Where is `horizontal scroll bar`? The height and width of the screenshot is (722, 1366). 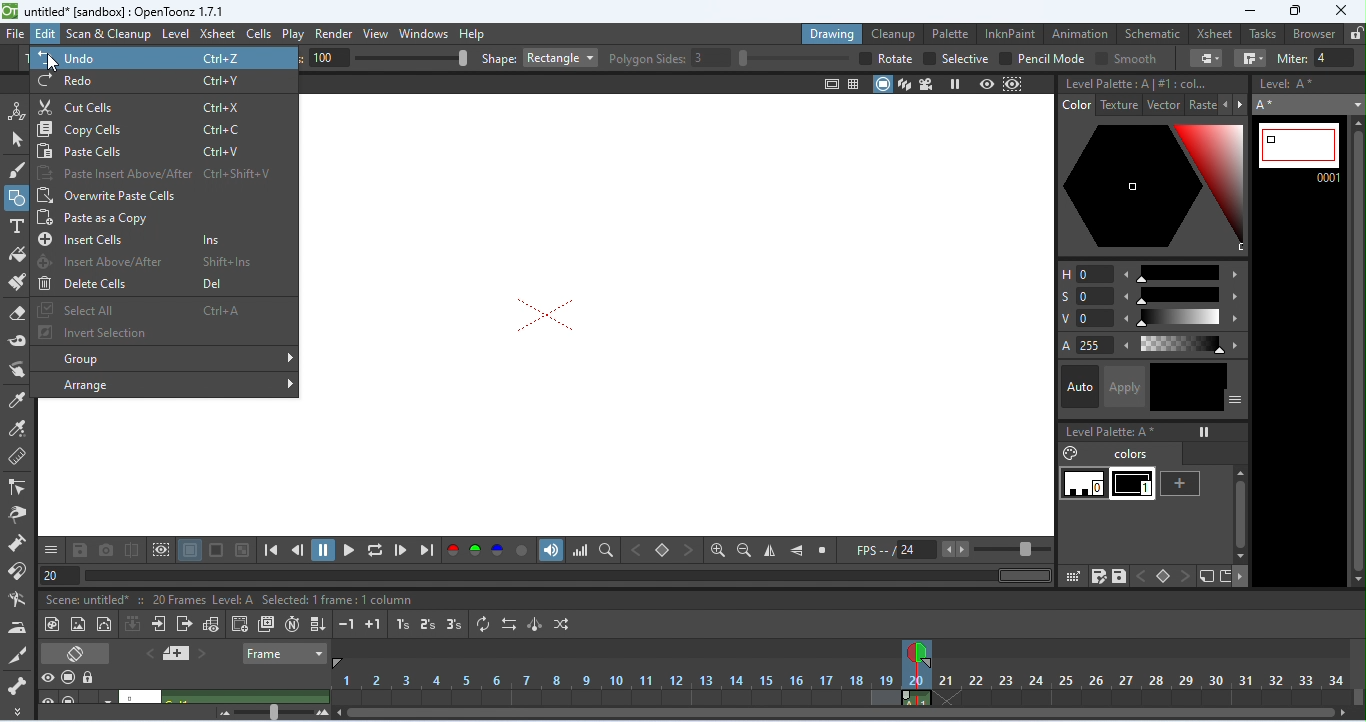 horizontal scroll bar is located at coordinates (1019, 575).